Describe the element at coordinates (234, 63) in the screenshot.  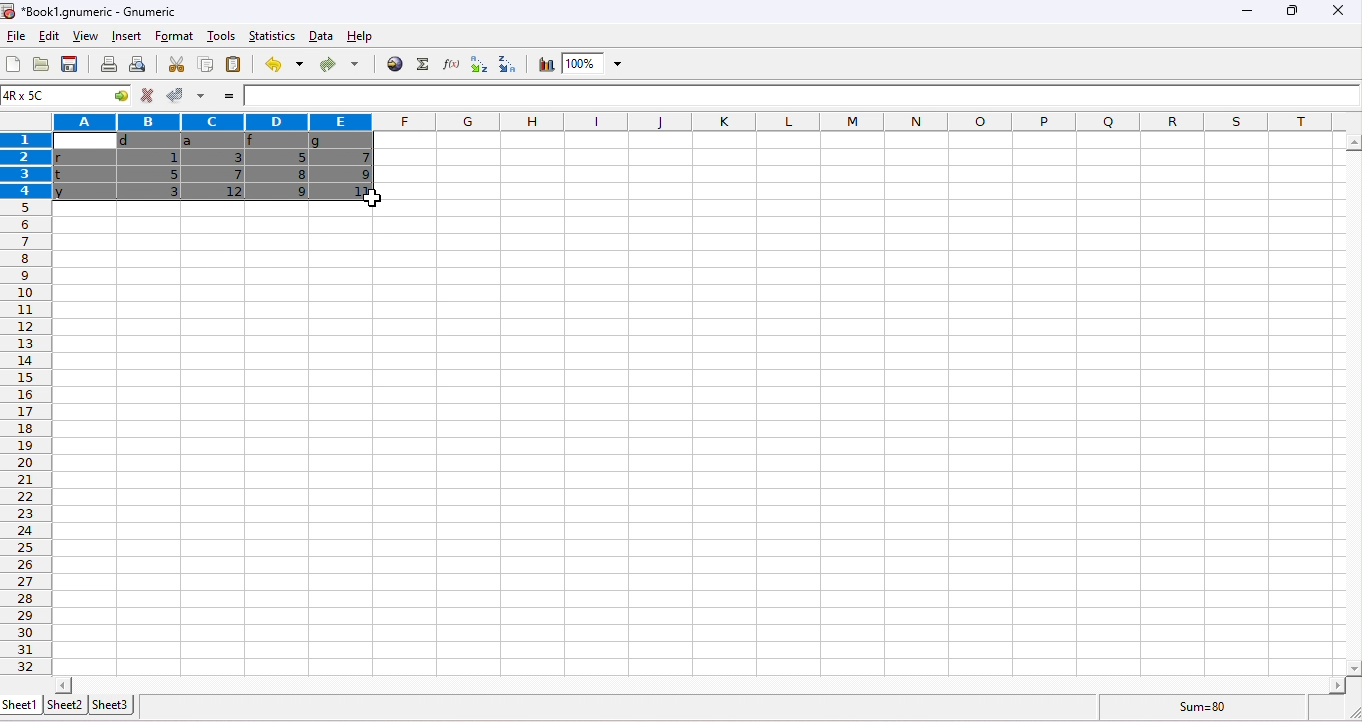
I see `paste` at that location.